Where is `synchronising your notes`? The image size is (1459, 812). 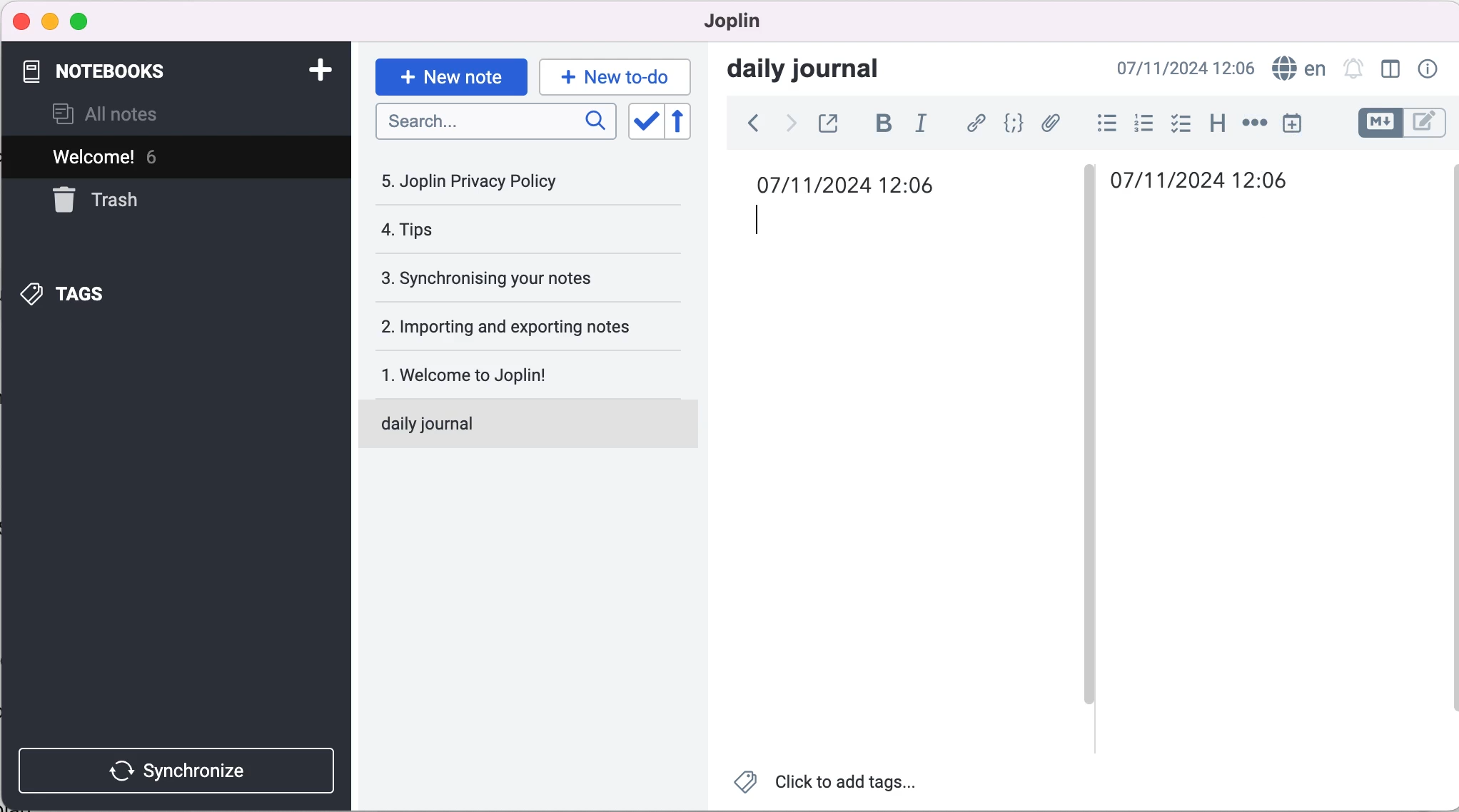 synchronising your notes is located at coordinates (508, 278).